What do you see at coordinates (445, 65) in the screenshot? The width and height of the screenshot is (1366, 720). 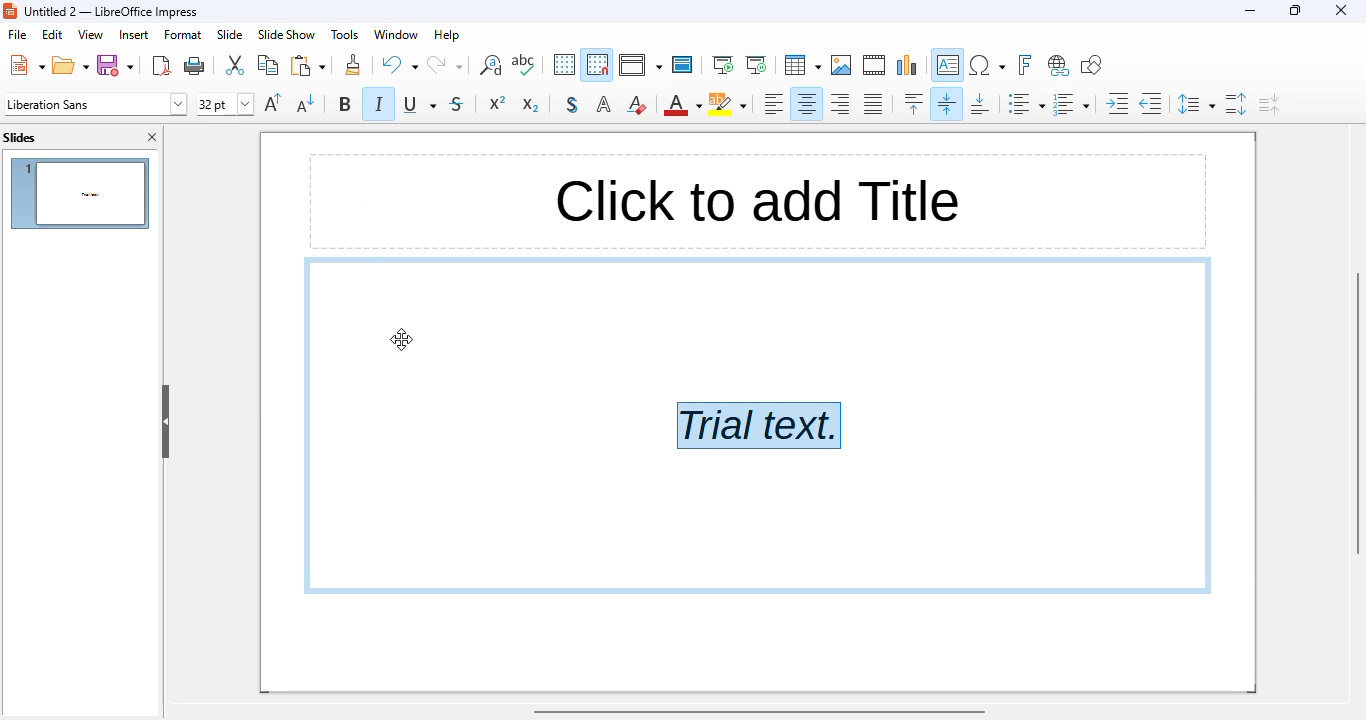 I see `redo` at bounding box center [445, 65].